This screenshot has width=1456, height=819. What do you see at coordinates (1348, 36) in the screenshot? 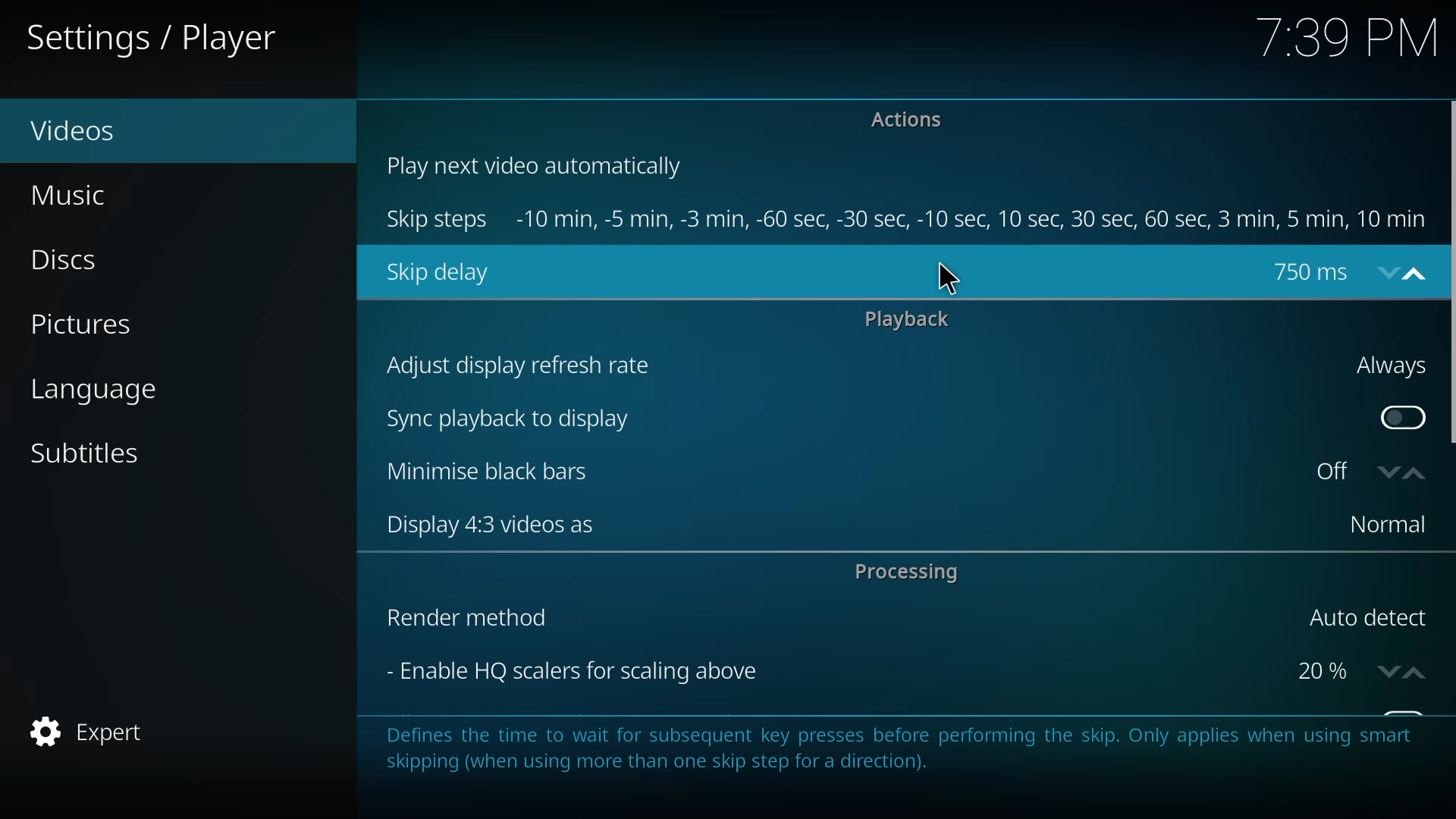
I see `time` at bounding box center [1348, 36].